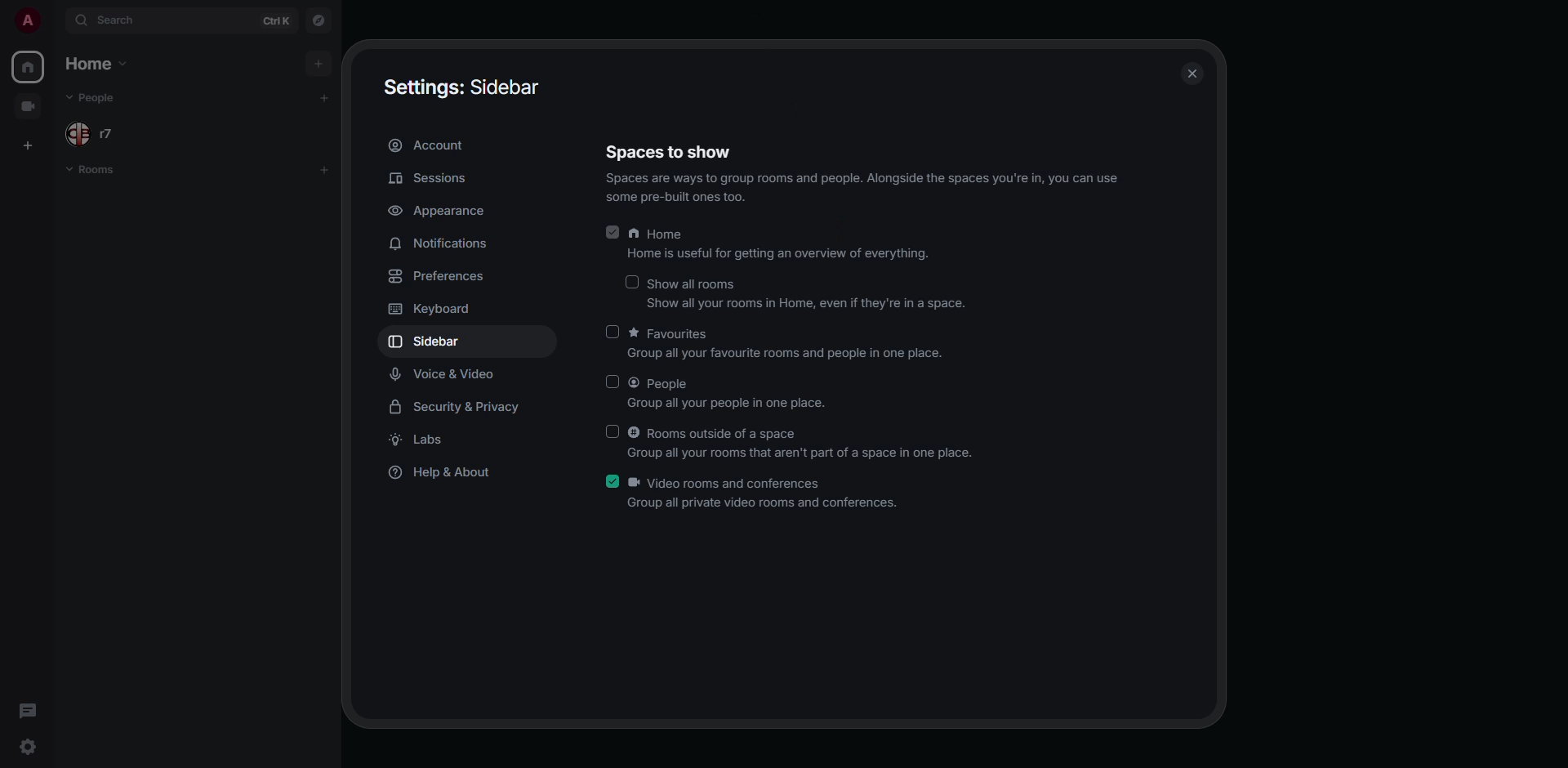  What do you see at coordinates (634, 281) in the screenshot?
I see `click to enable` at bounding box center [634, 281].